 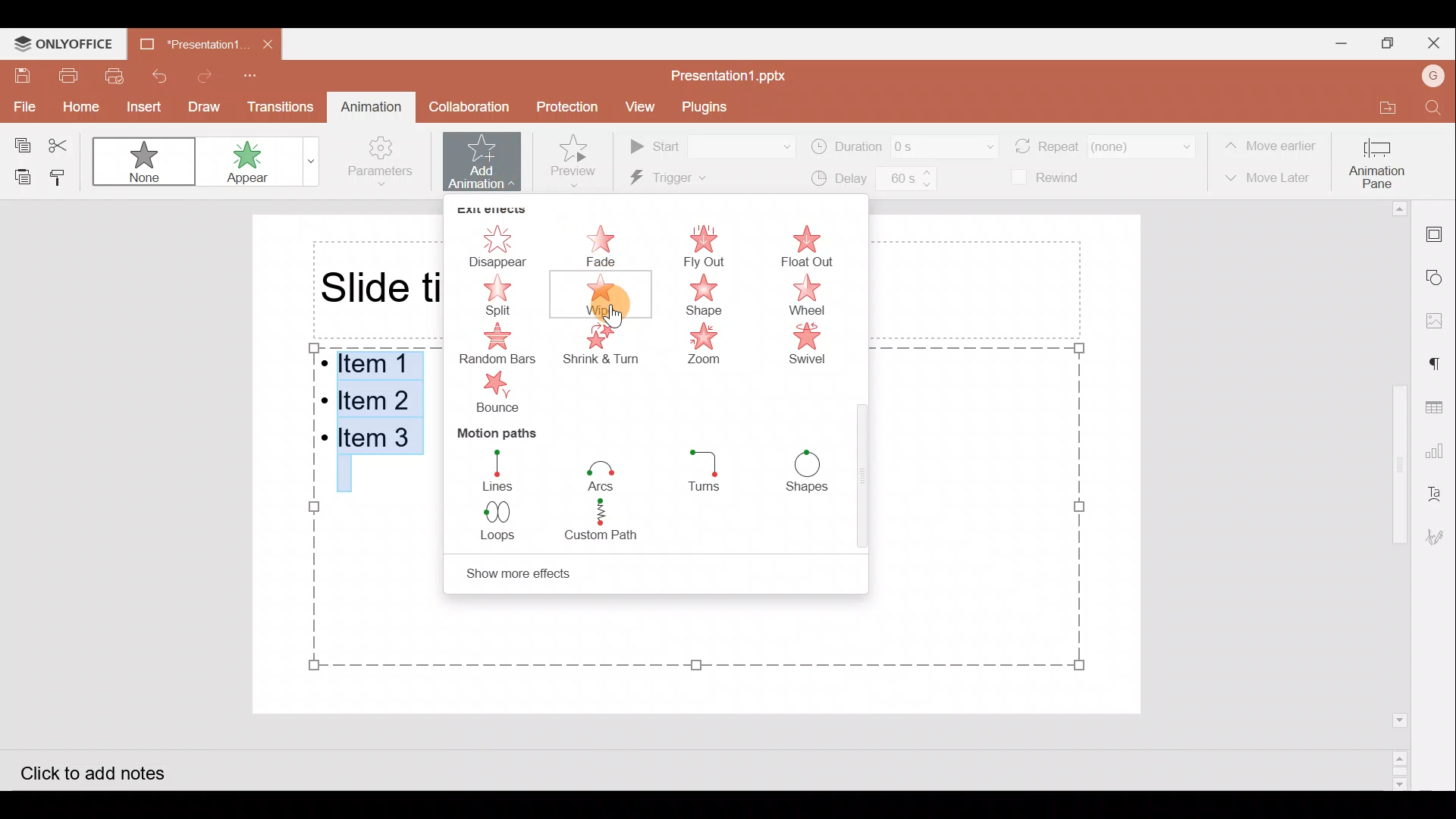 What do you see at coordinates (1379, 101) in the screenshot?
I see `Open file location` at bounding box center [1379, 101].